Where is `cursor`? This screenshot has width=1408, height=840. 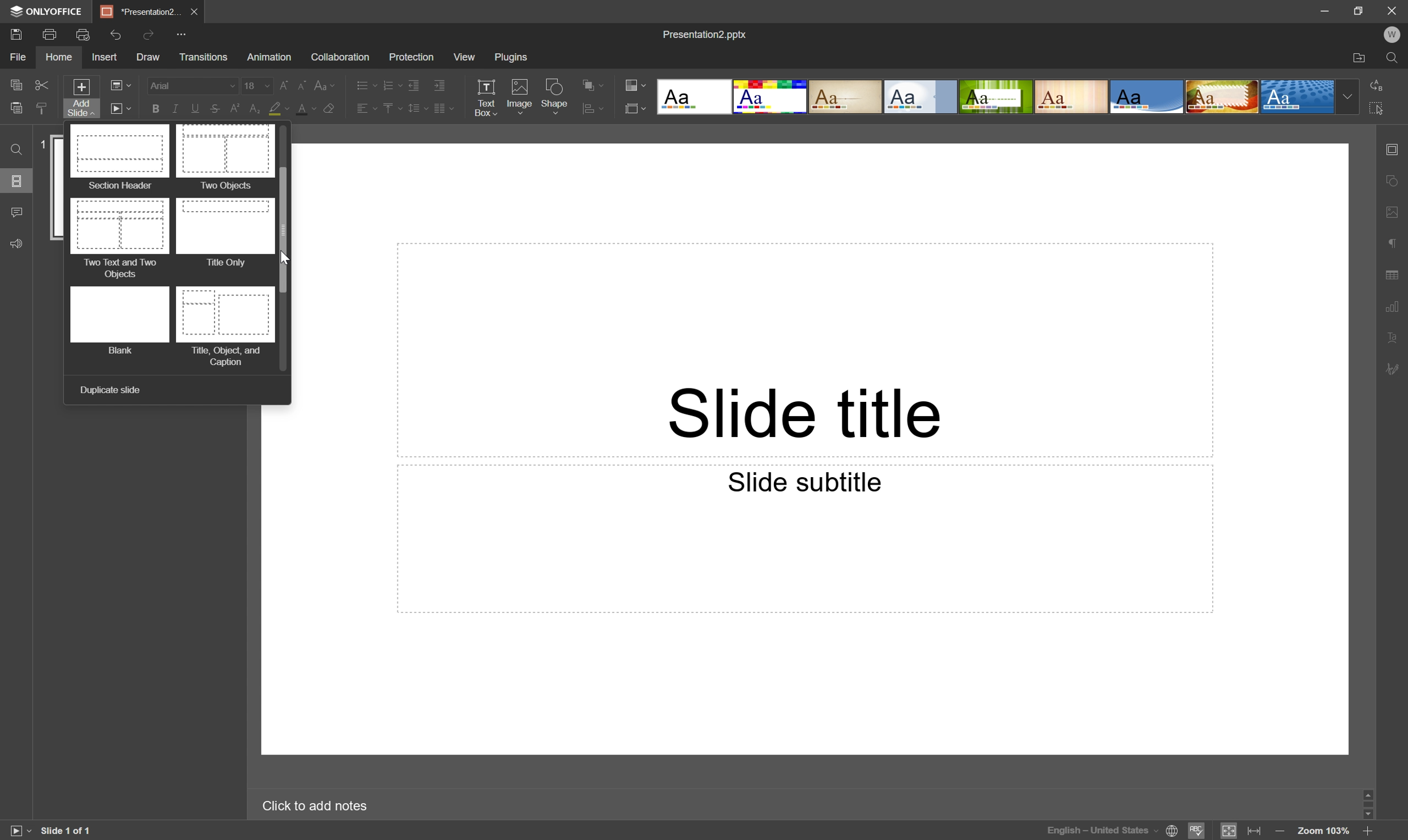
cursor is located at coordinates (285, 259).